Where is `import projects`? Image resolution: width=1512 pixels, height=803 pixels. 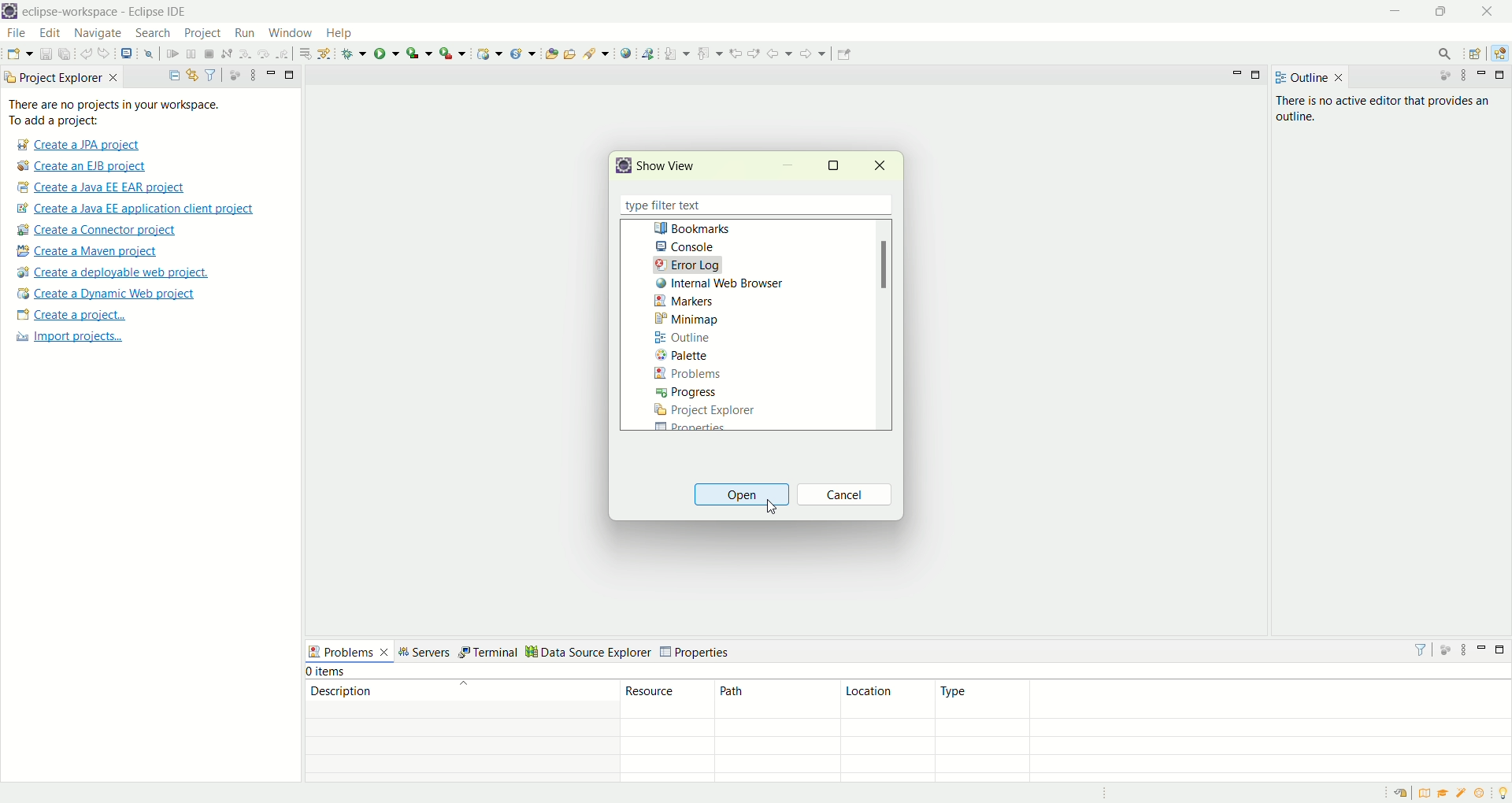
import projects is located at coordinates (79, 342).